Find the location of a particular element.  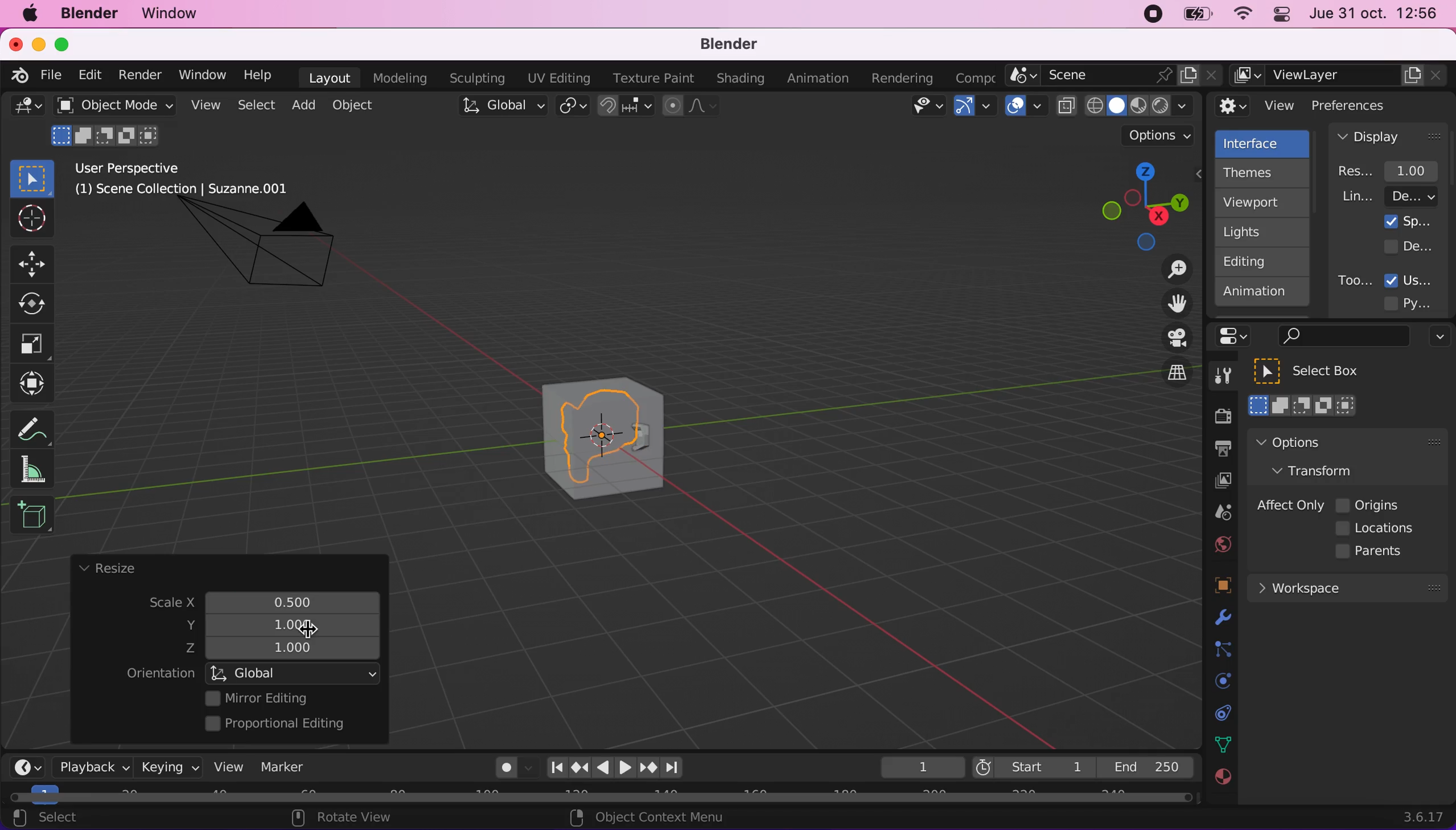

proportional editing is located at coordinates (283, 725).